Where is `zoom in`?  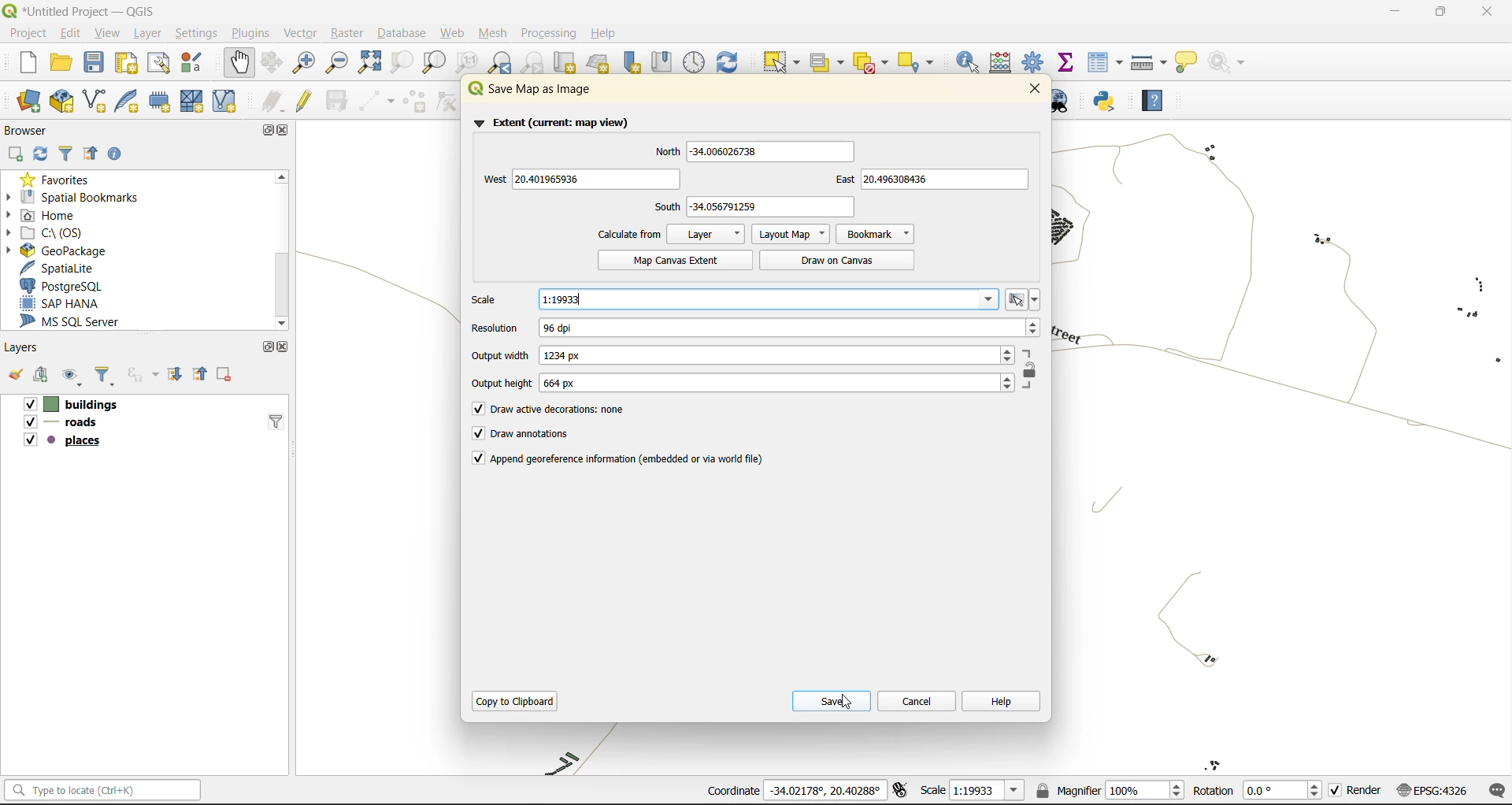
zoom in is located at coordinates (303, 61).